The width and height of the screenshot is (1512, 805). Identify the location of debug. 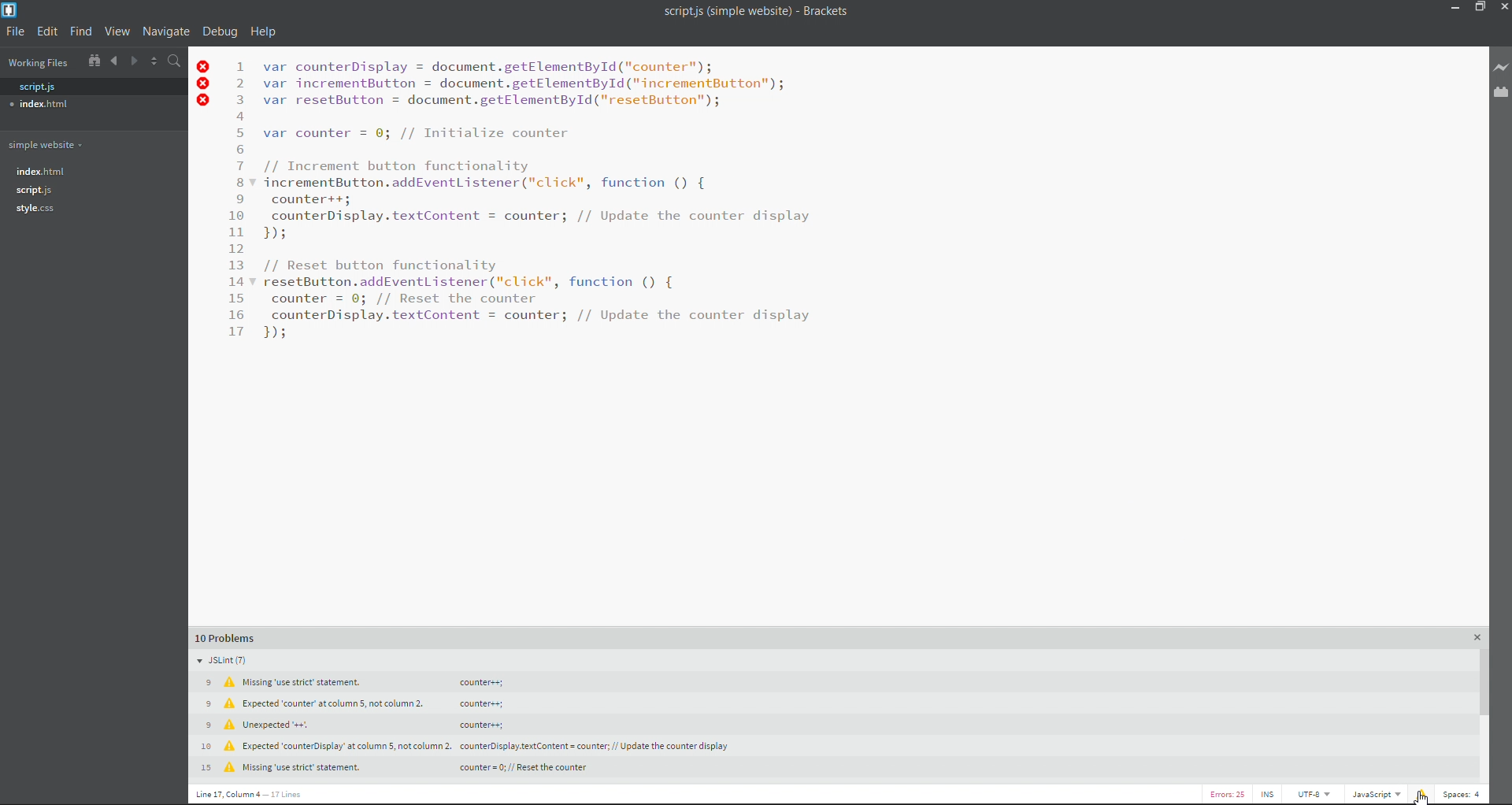
(220, 31).